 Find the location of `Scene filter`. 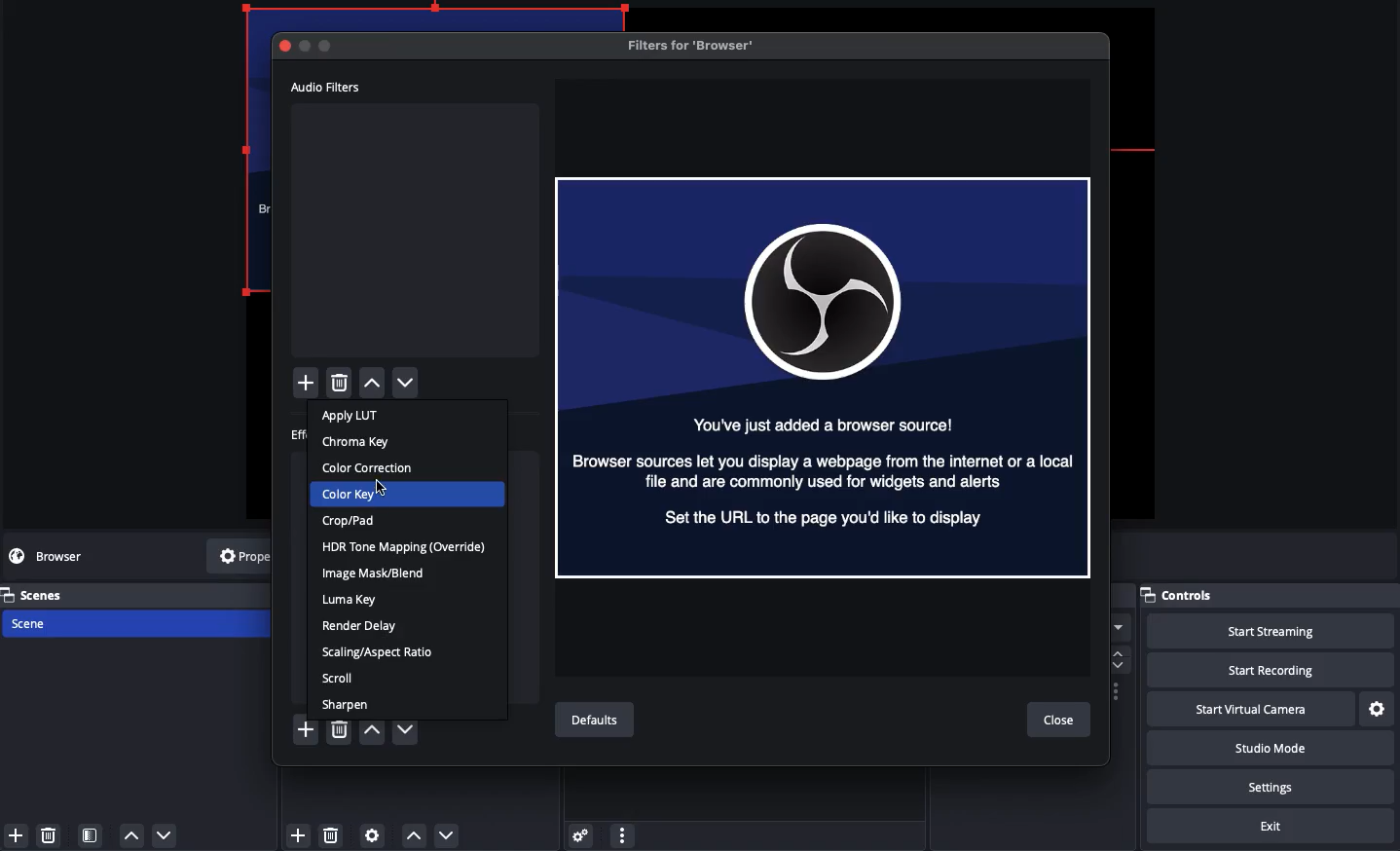

Scene filter is located at coordinates (92, 835).